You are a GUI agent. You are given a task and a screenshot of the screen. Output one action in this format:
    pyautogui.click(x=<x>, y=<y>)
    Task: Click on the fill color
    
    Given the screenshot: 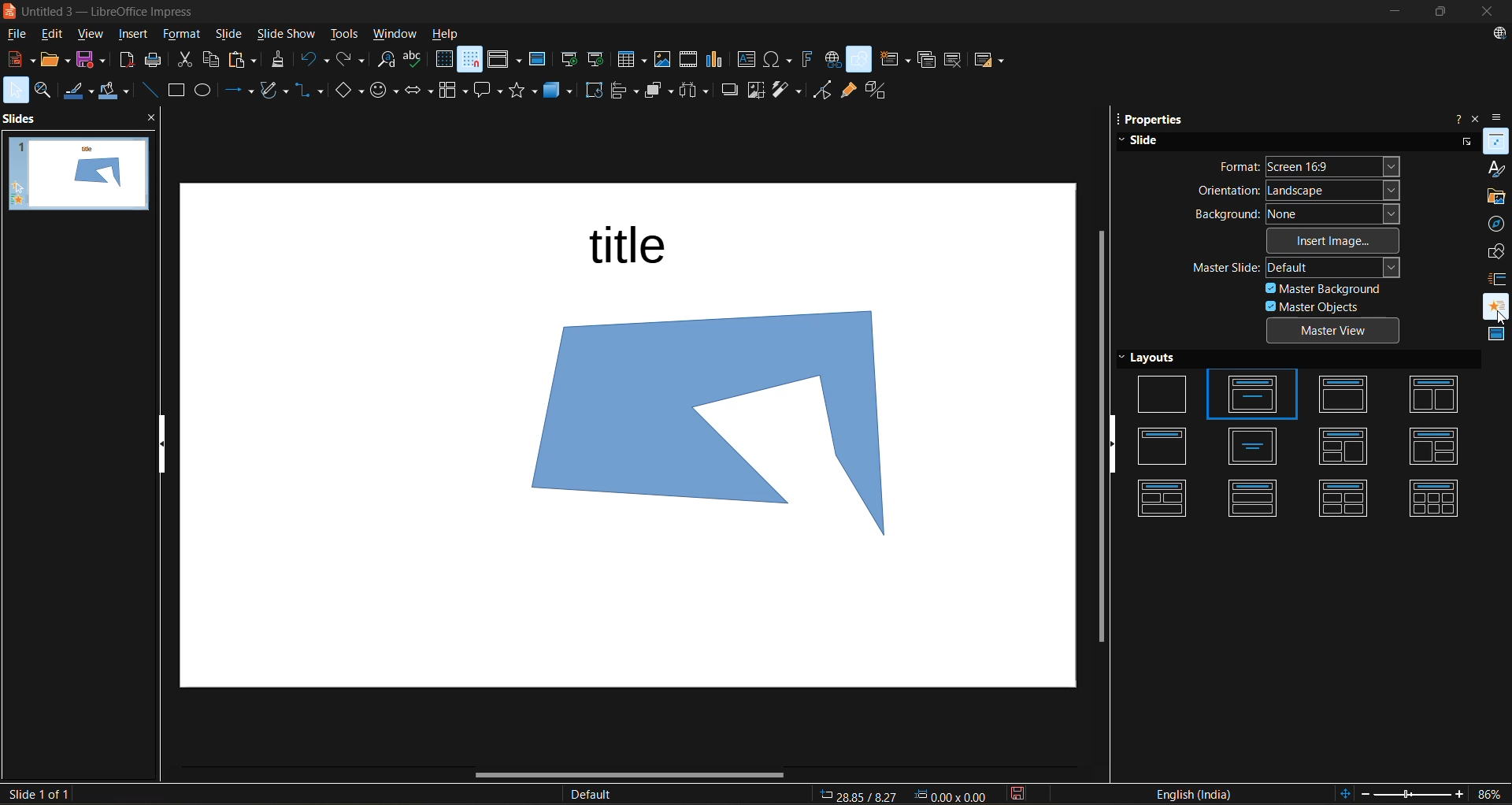 What is the action you would take?
    pyautogui.click(x=117, y=94)
    